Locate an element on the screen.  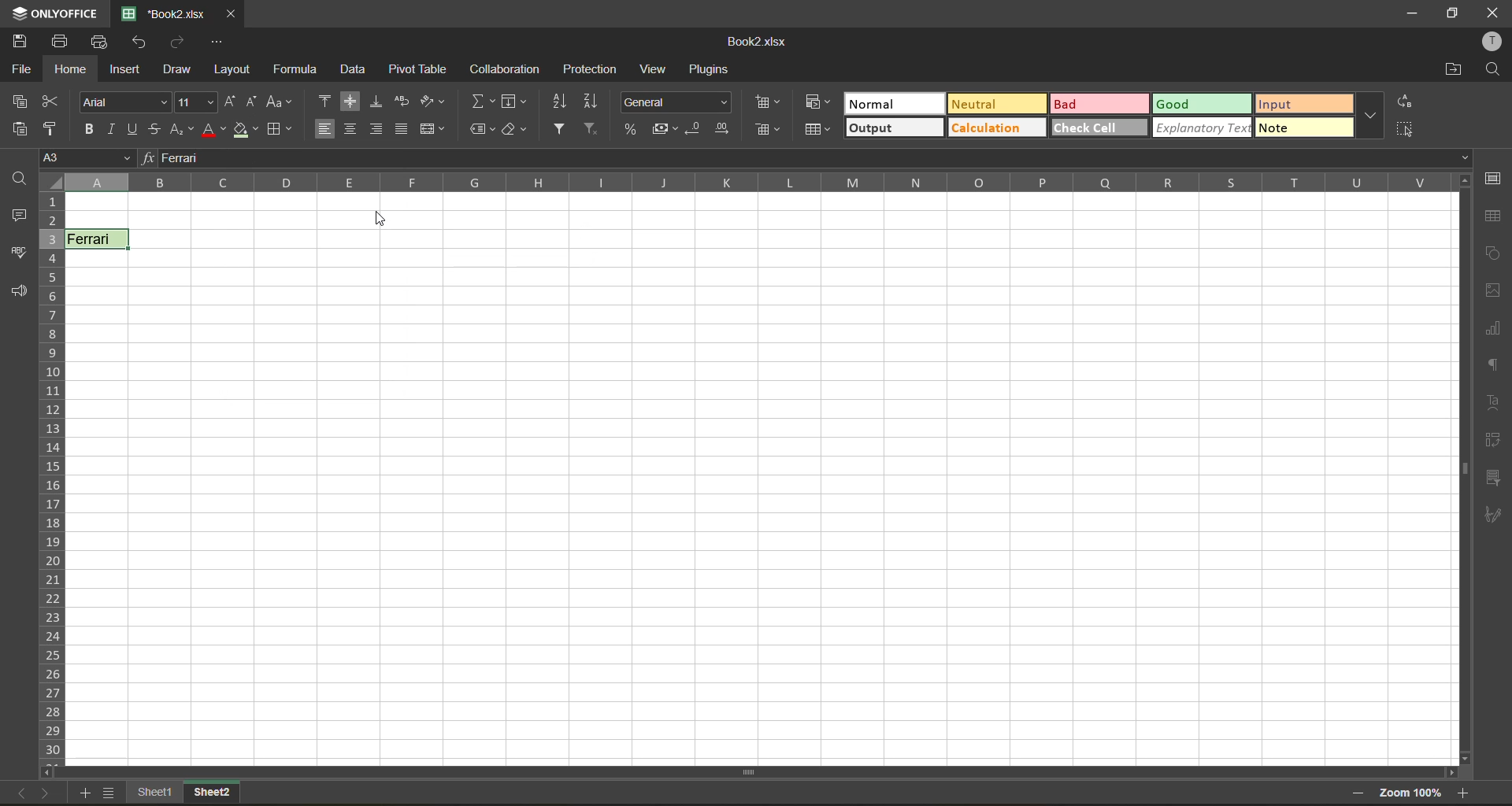
good is located at coordinates (1202, 102).